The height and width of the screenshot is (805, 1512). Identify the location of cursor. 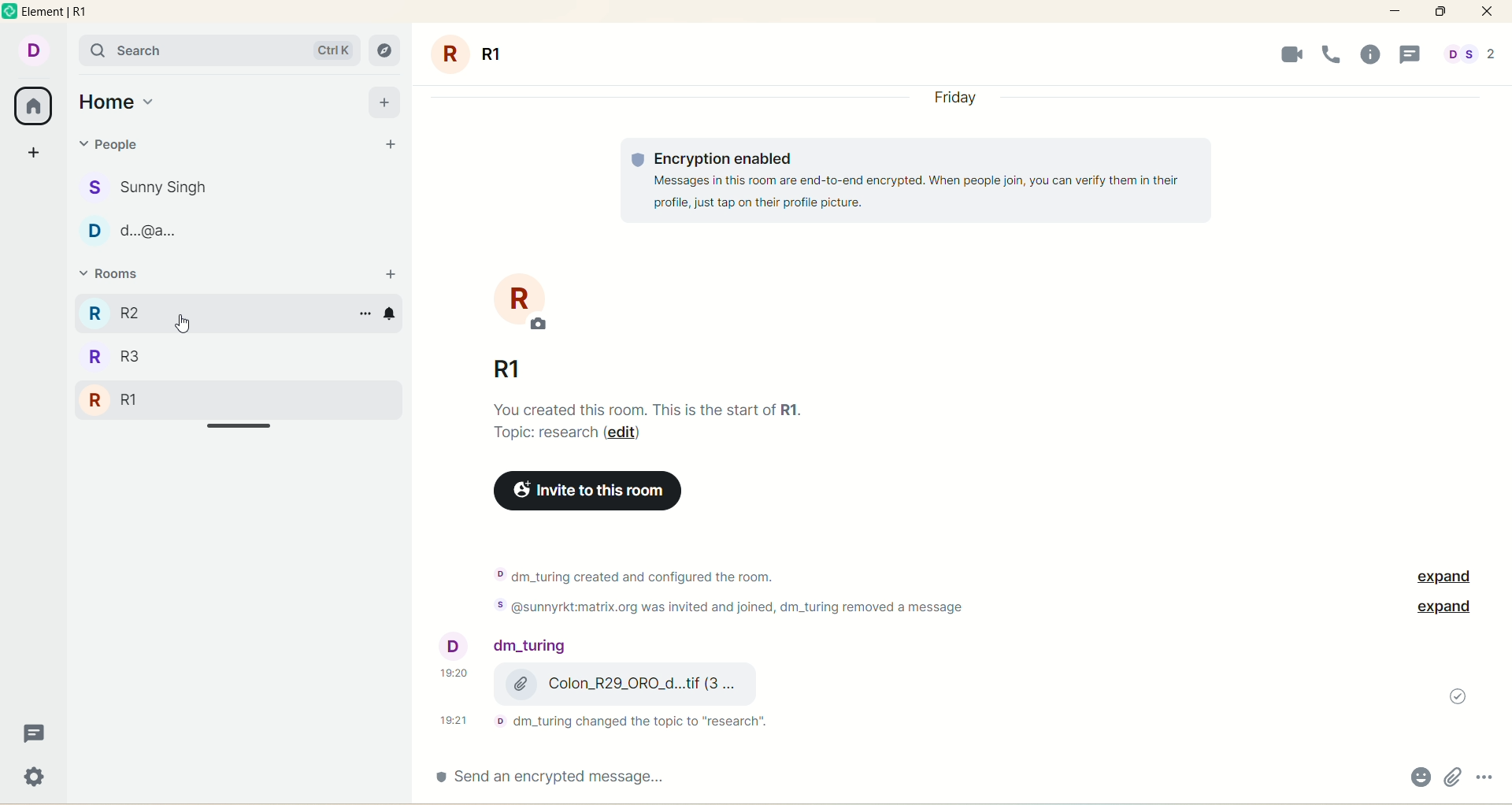
(180, 323).